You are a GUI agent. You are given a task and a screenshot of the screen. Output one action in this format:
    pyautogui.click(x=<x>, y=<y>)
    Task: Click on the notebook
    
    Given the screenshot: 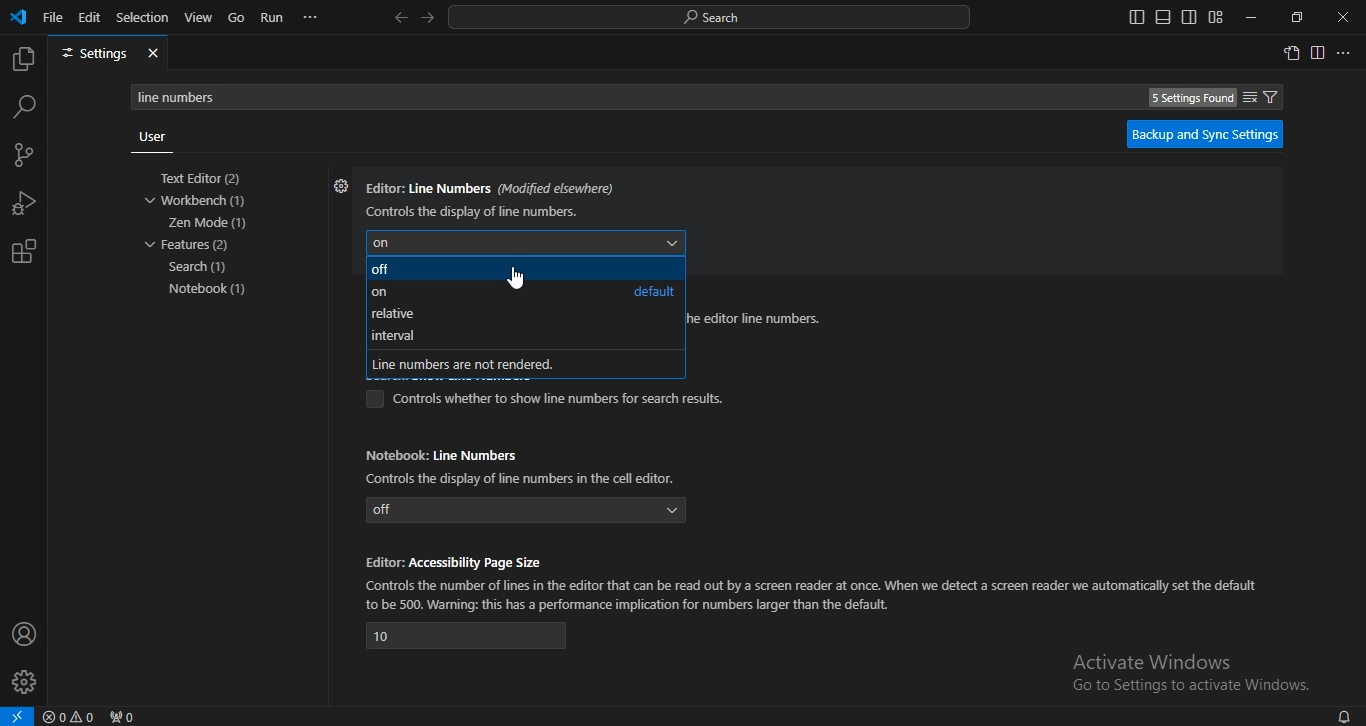 What is the action you would take?
    pyautogui.click(x=213, y=289)
    